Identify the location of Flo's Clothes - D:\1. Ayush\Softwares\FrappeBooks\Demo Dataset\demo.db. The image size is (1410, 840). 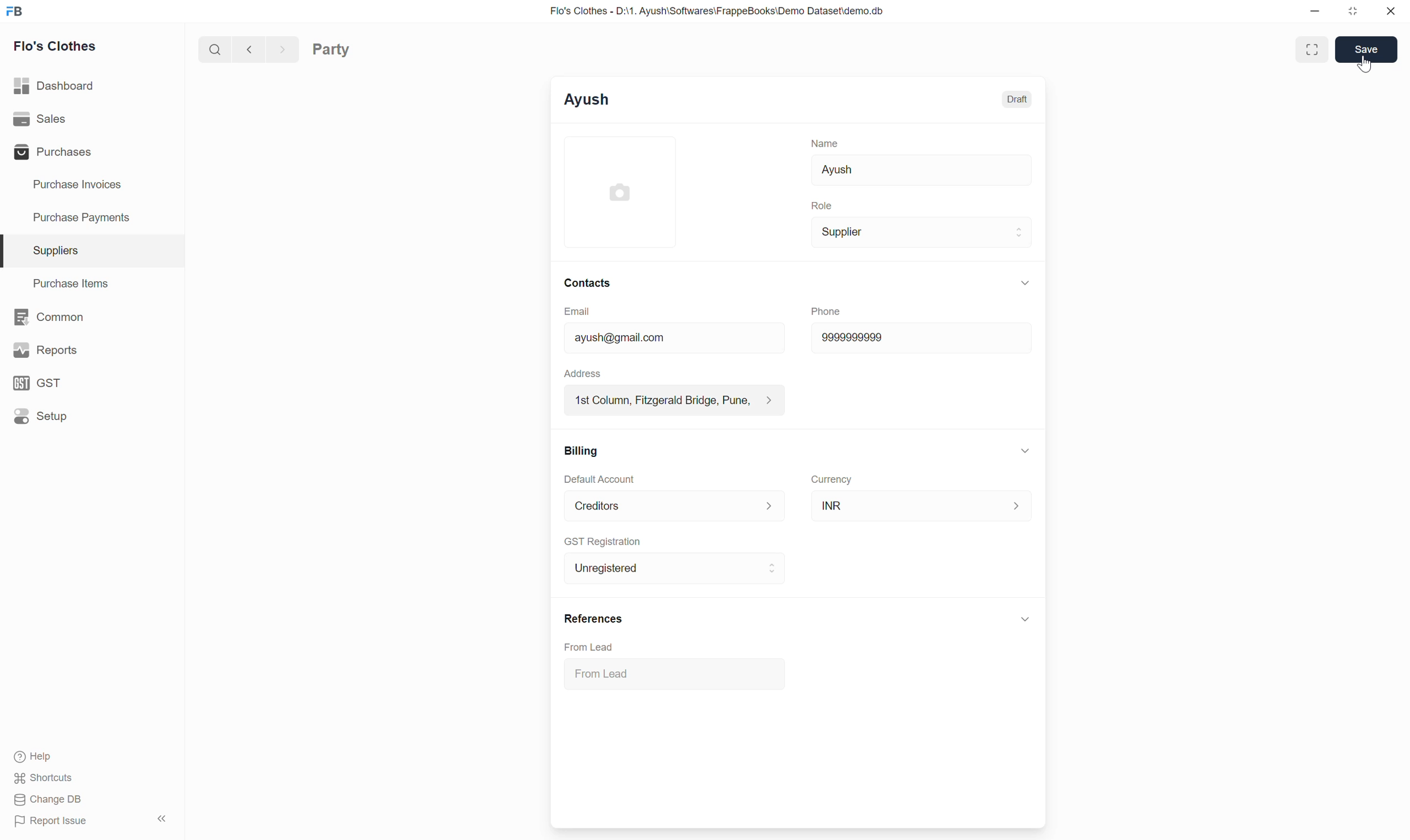
(717, 11).